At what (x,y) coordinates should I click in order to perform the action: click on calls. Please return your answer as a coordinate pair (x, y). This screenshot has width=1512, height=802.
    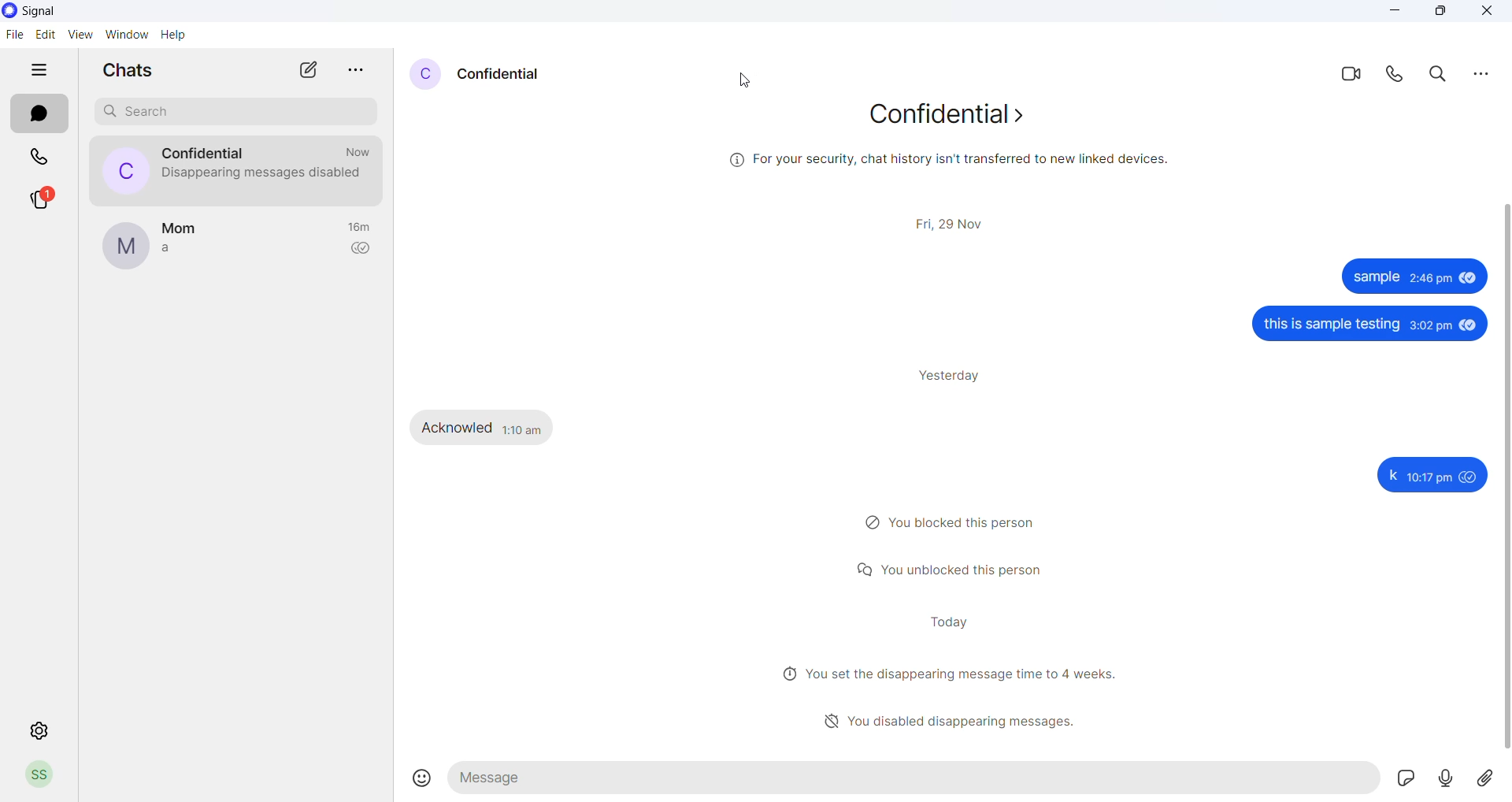
    Looking at the image, I should click on (1399, 74).